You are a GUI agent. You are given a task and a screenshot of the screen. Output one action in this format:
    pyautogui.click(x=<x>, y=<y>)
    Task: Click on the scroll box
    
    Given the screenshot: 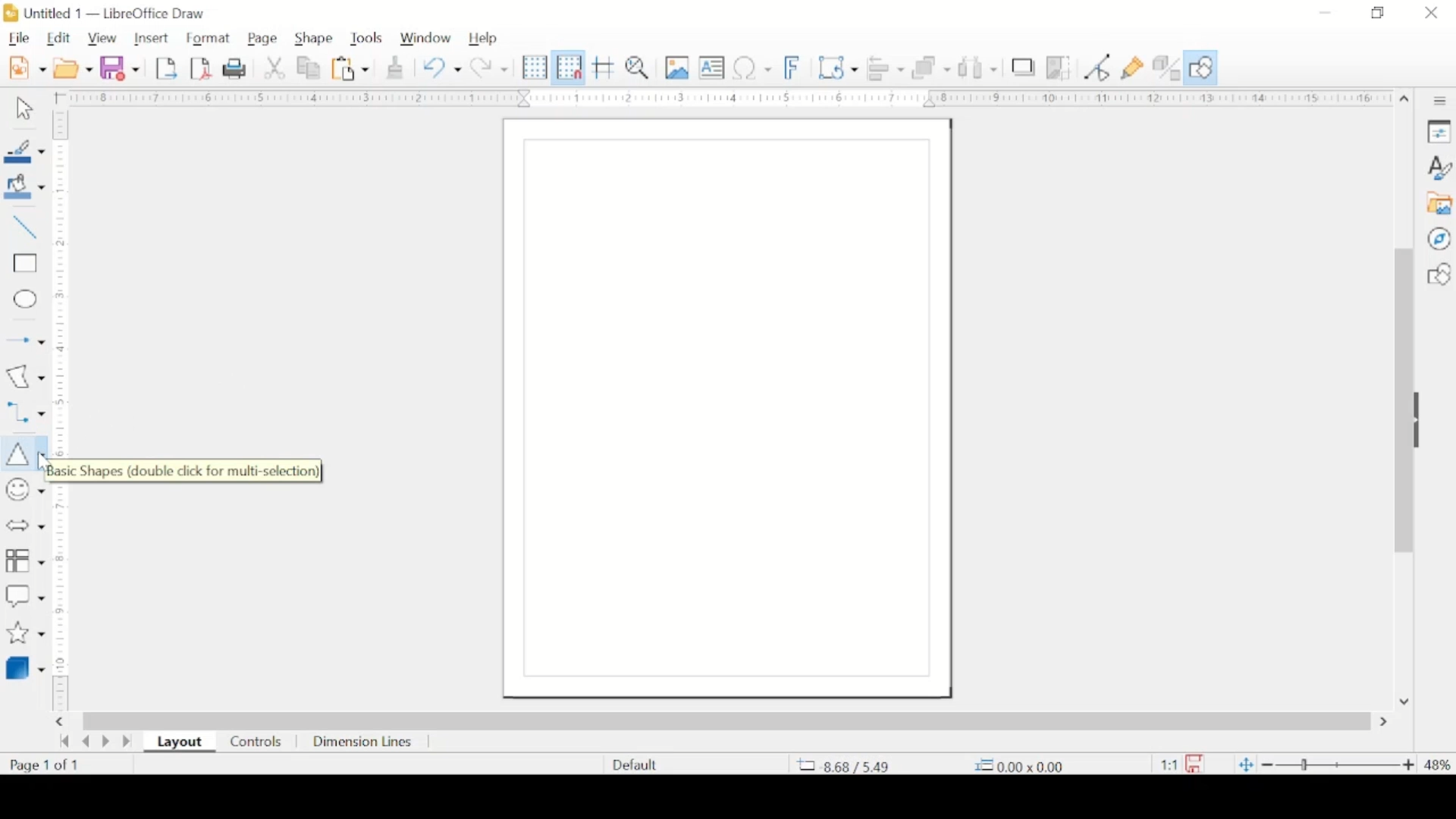 What is the action you would take?
    pyautogui.click(x=728, y=719)
    